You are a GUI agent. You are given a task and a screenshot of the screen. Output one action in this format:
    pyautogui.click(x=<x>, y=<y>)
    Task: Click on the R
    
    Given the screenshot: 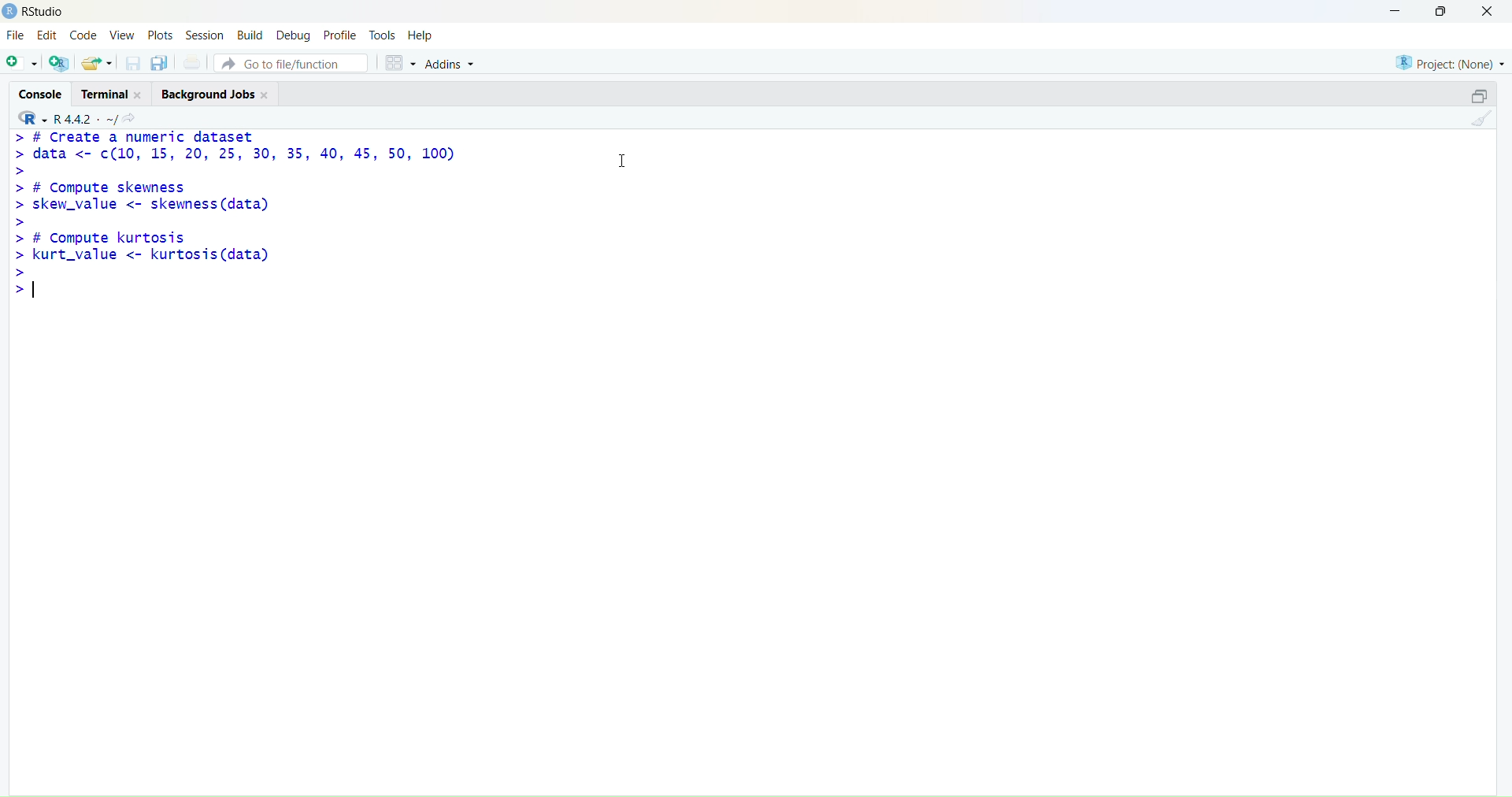 What is the action you would take?
    pyautogui.click(x=28, y=117)
    